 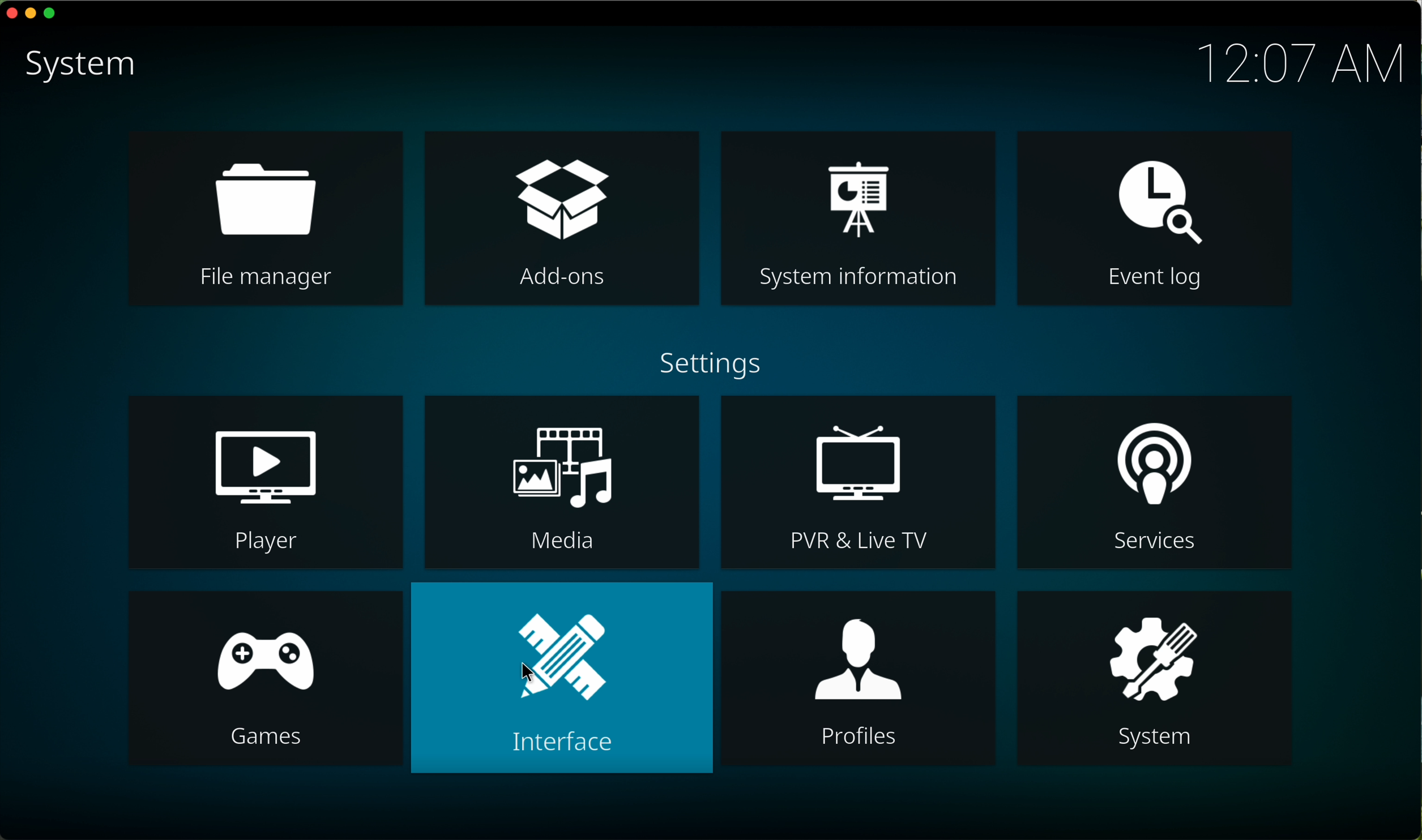 What do you see at coordinates (31, 17) in the screenshot?
I see `minimize` at bounding box center [31, 17].